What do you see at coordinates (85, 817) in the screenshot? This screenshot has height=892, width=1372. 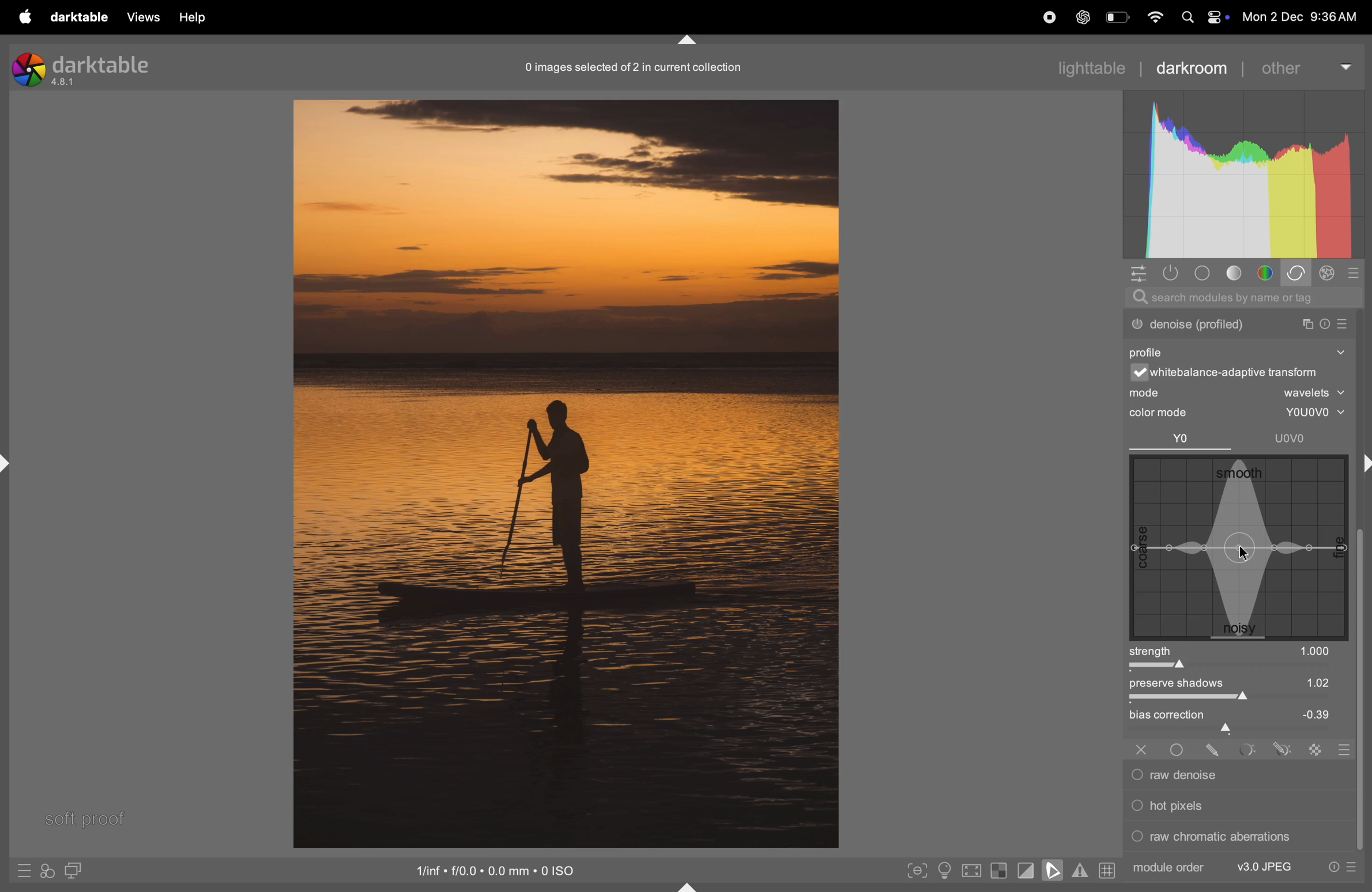 I see `soft proffing` at bounding box center [85, 817].